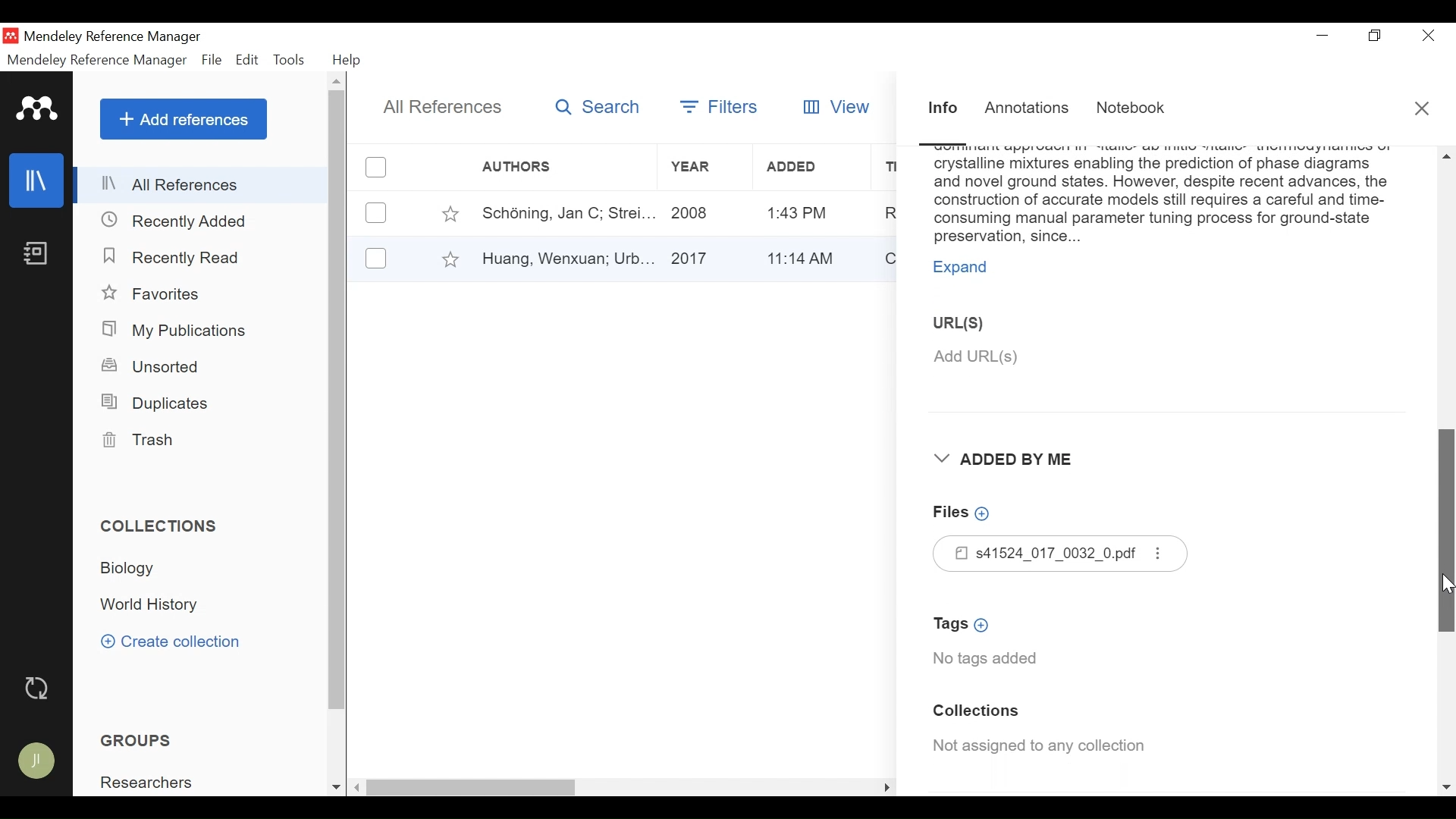 The image size is (1456, 819). What do you see at coordinates (450, 213) in the screenshot?
I see `Toggle Favorite` at bounding box center [450, 213].